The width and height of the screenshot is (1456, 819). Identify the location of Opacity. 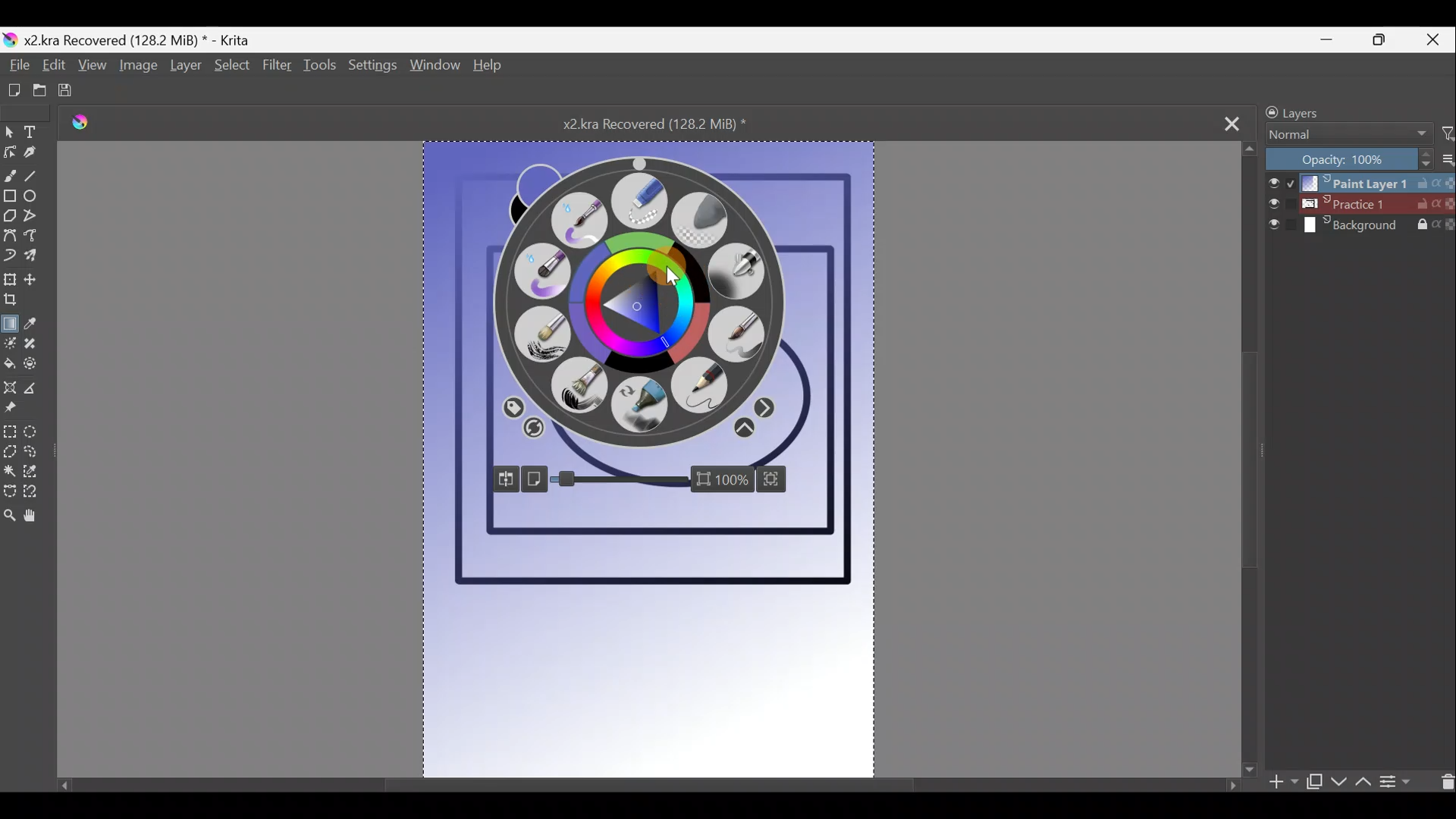
(768, 407).